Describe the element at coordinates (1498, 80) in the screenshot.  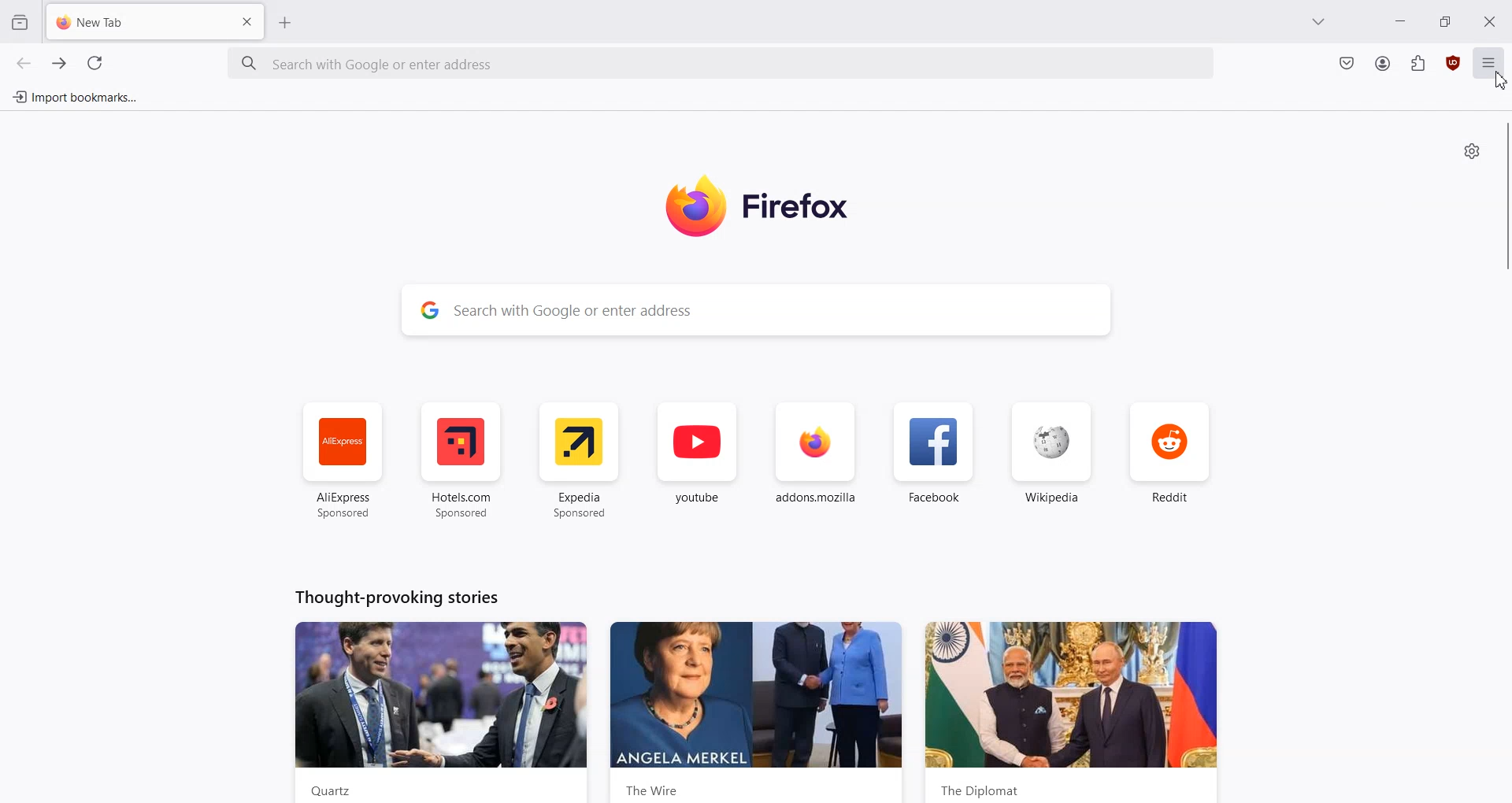
I see `Cursor` at that location.